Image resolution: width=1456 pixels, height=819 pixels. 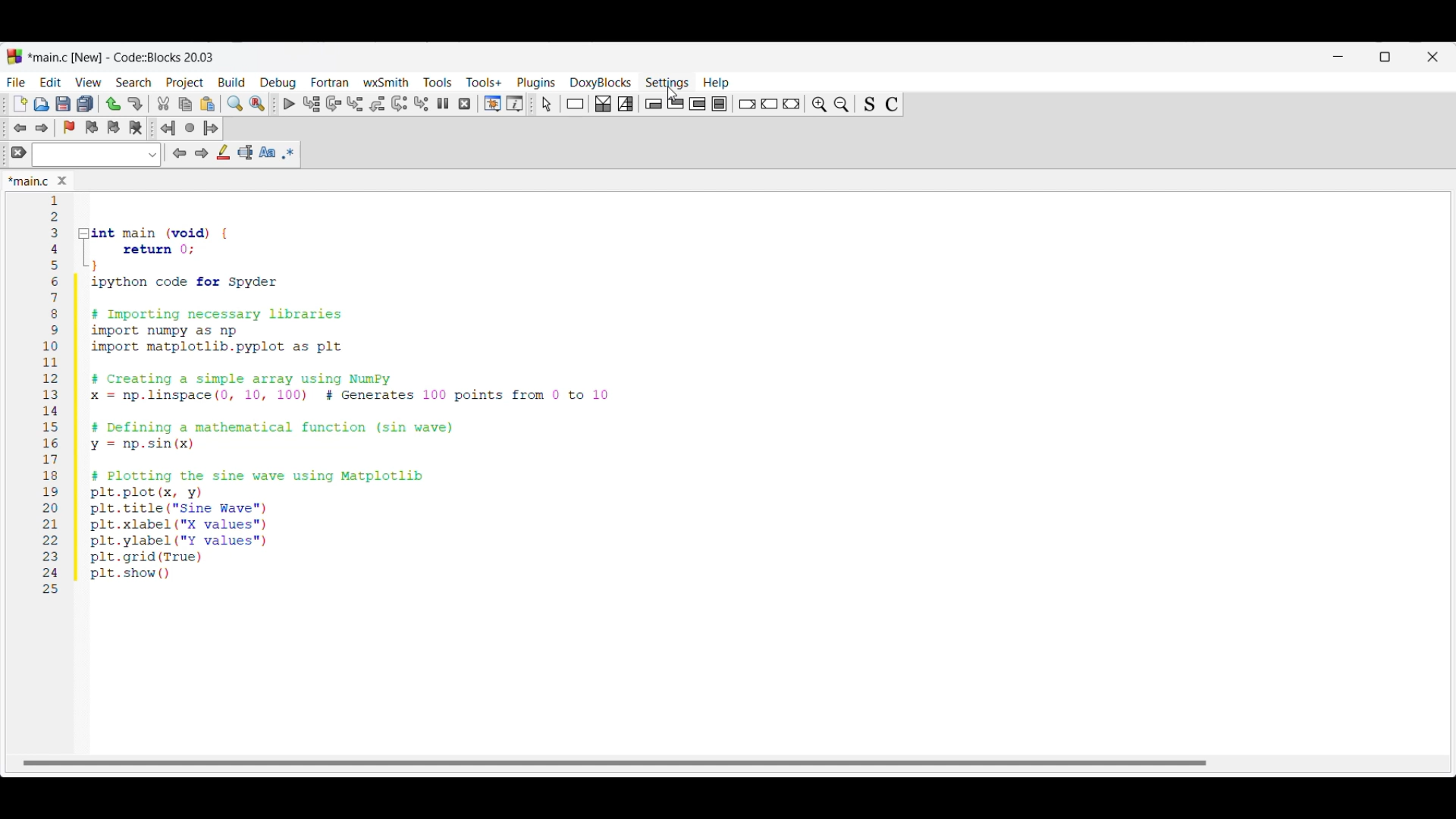 I want to click on Plugins menu, so click(x=536, y=83).